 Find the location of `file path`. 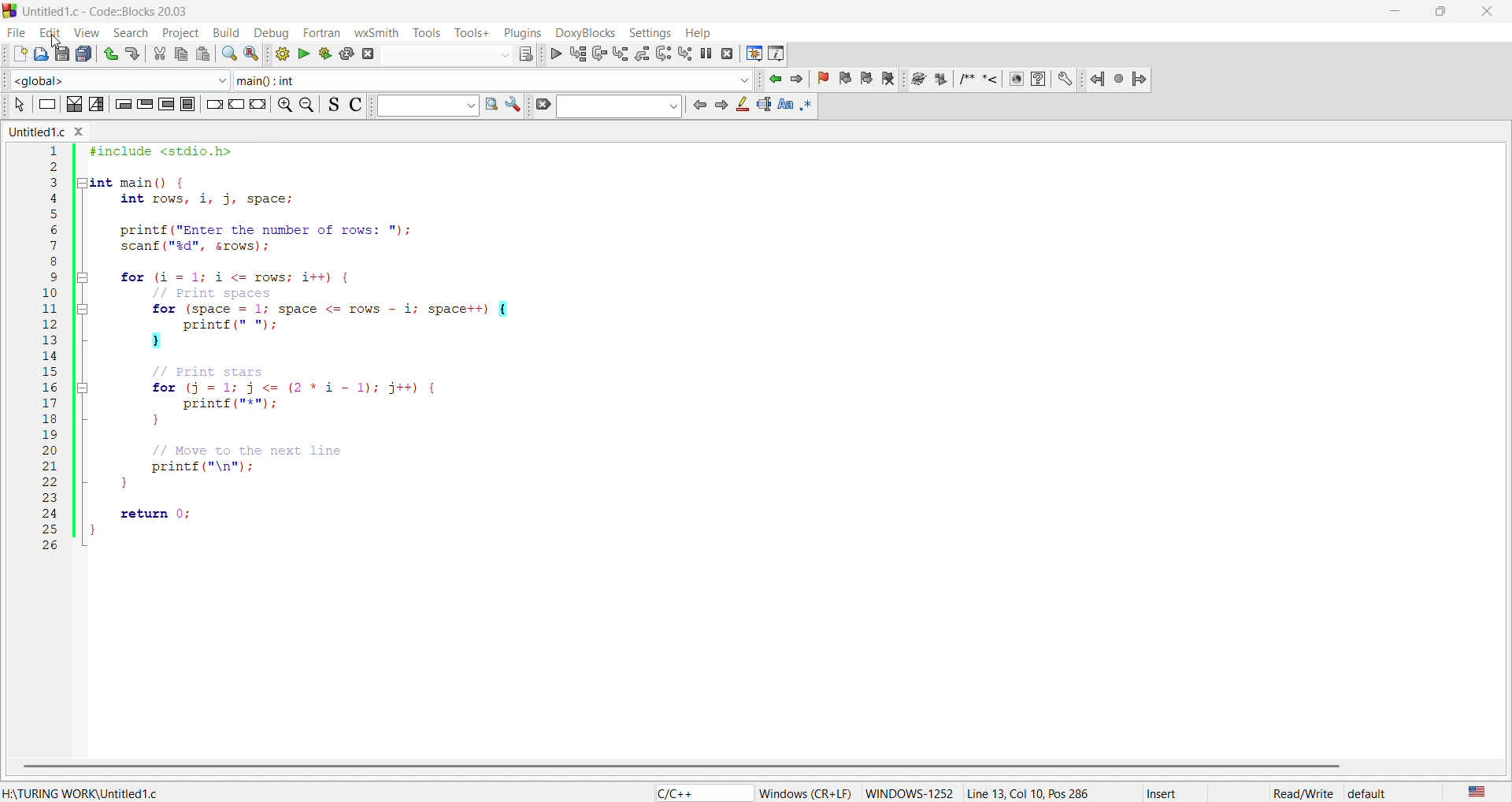

file path is located at coordinates (83, 795).